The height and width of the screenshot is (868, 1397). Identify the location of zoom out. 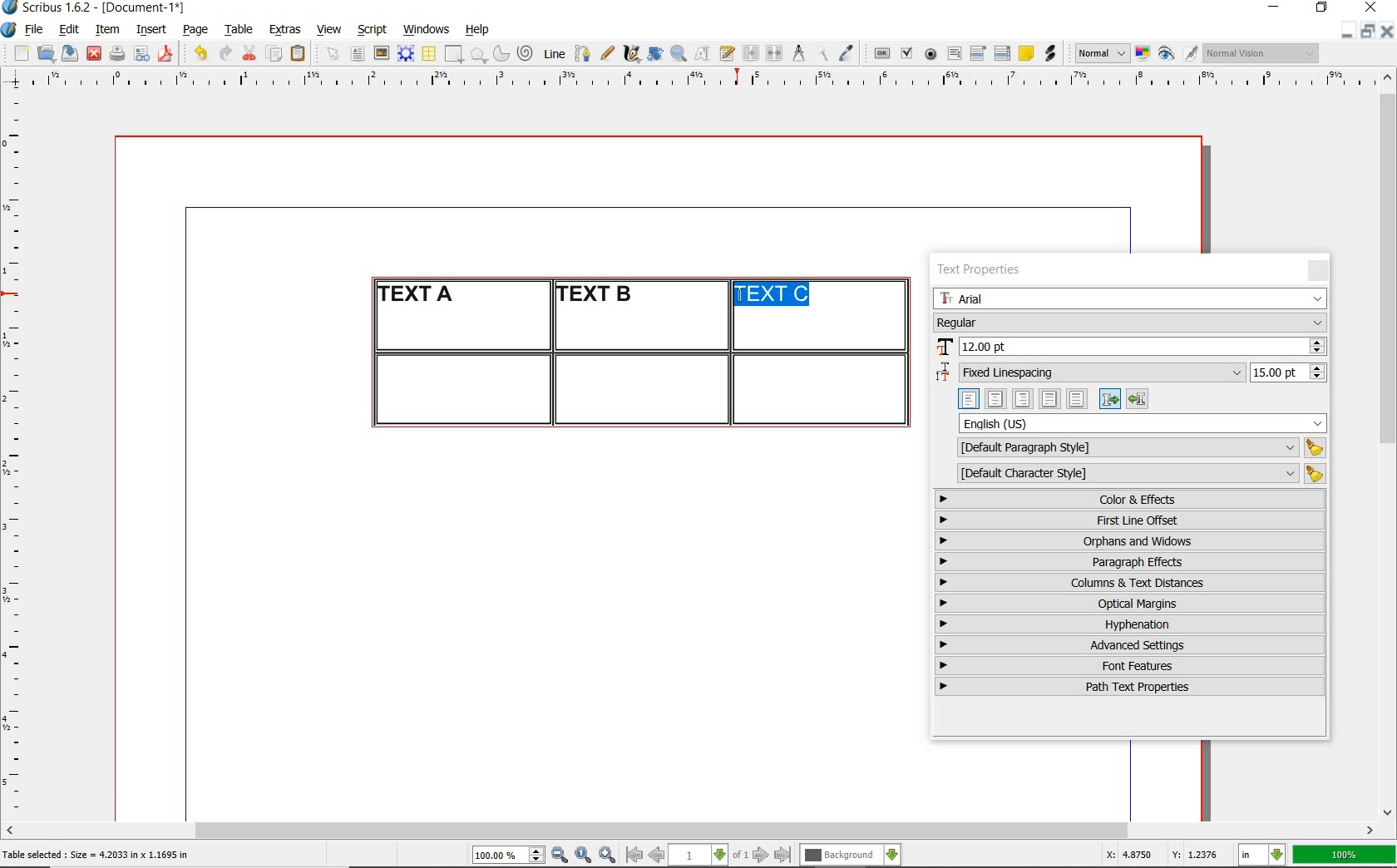
(560, 856).